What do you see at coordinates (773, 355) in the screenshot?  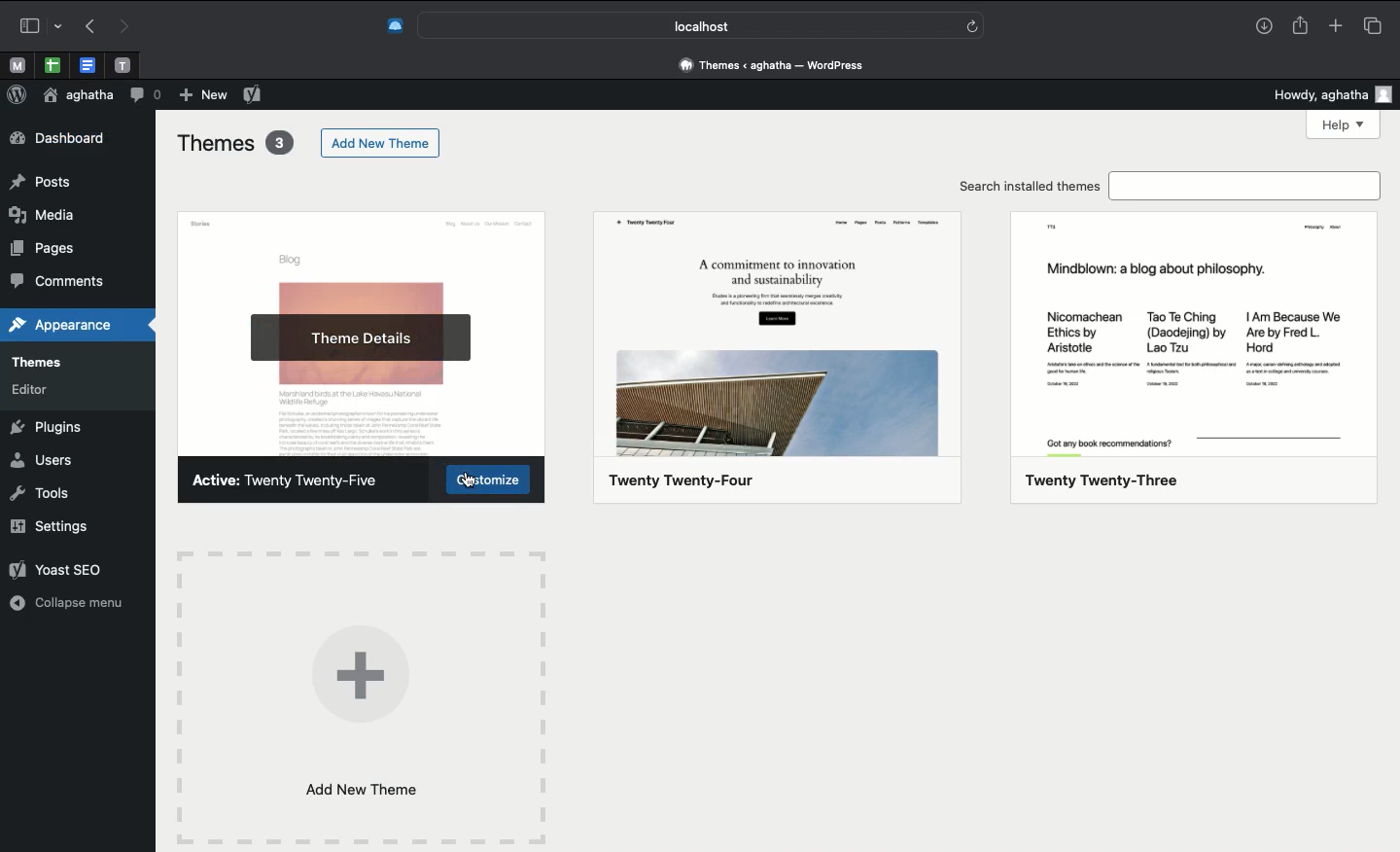 I see `twenty twenty-four theme` at bounding box center [773, 355].